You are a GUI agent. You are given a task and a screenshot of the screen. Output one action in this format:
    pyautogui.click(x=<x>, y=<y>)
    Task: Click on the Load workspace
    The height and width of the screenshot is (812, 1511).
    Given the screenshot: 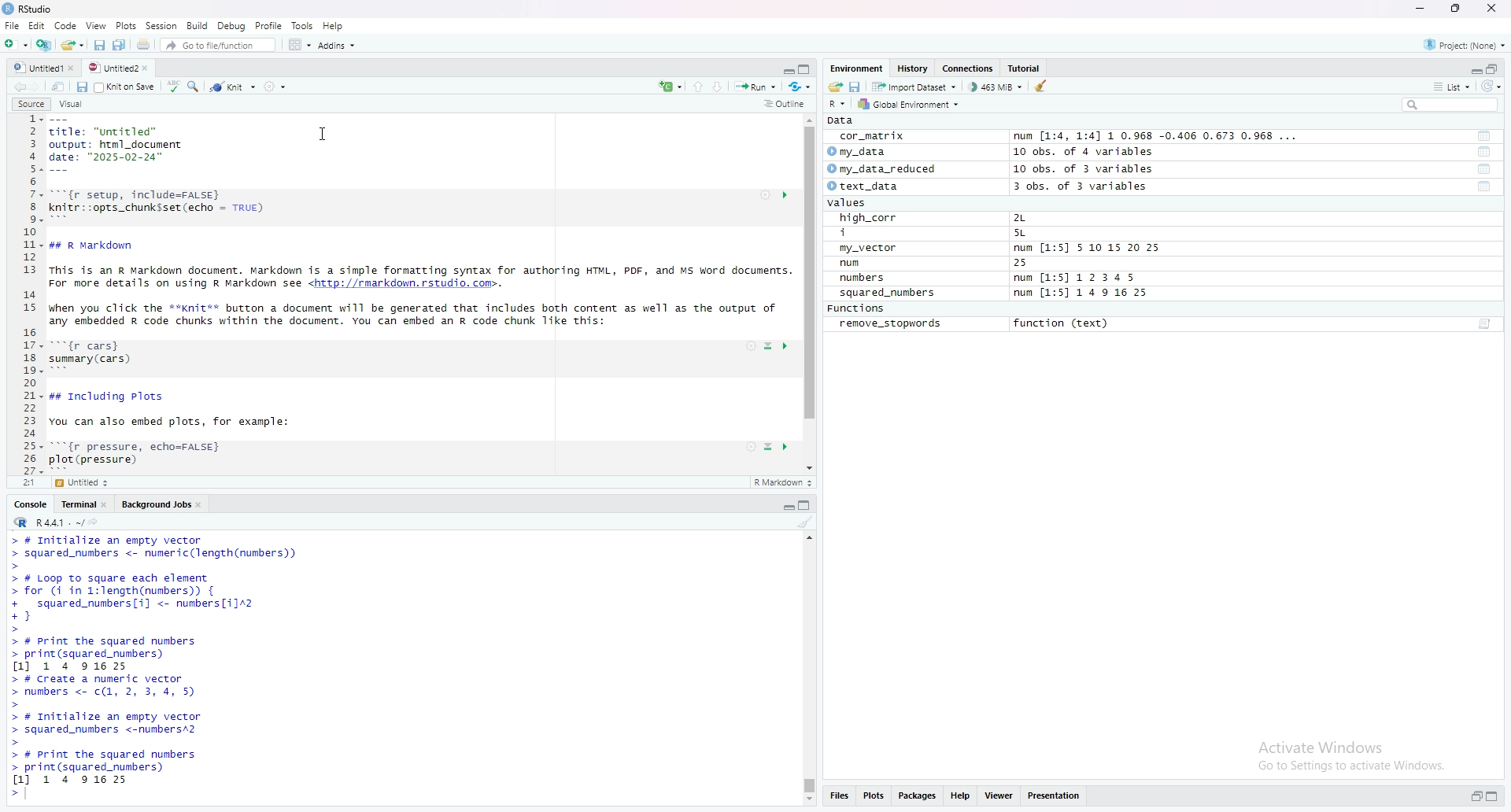 What is the action you would take?
    pyautogui.click(x=833, y=87)
    